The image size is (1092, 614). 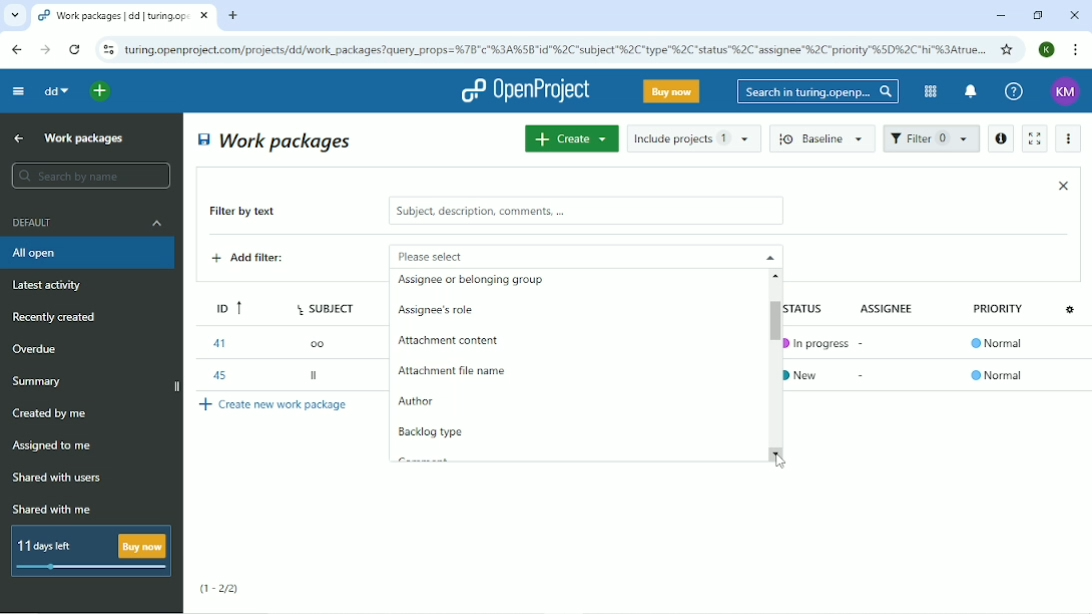 I want to click on Subject, so click(x=328, y=305).